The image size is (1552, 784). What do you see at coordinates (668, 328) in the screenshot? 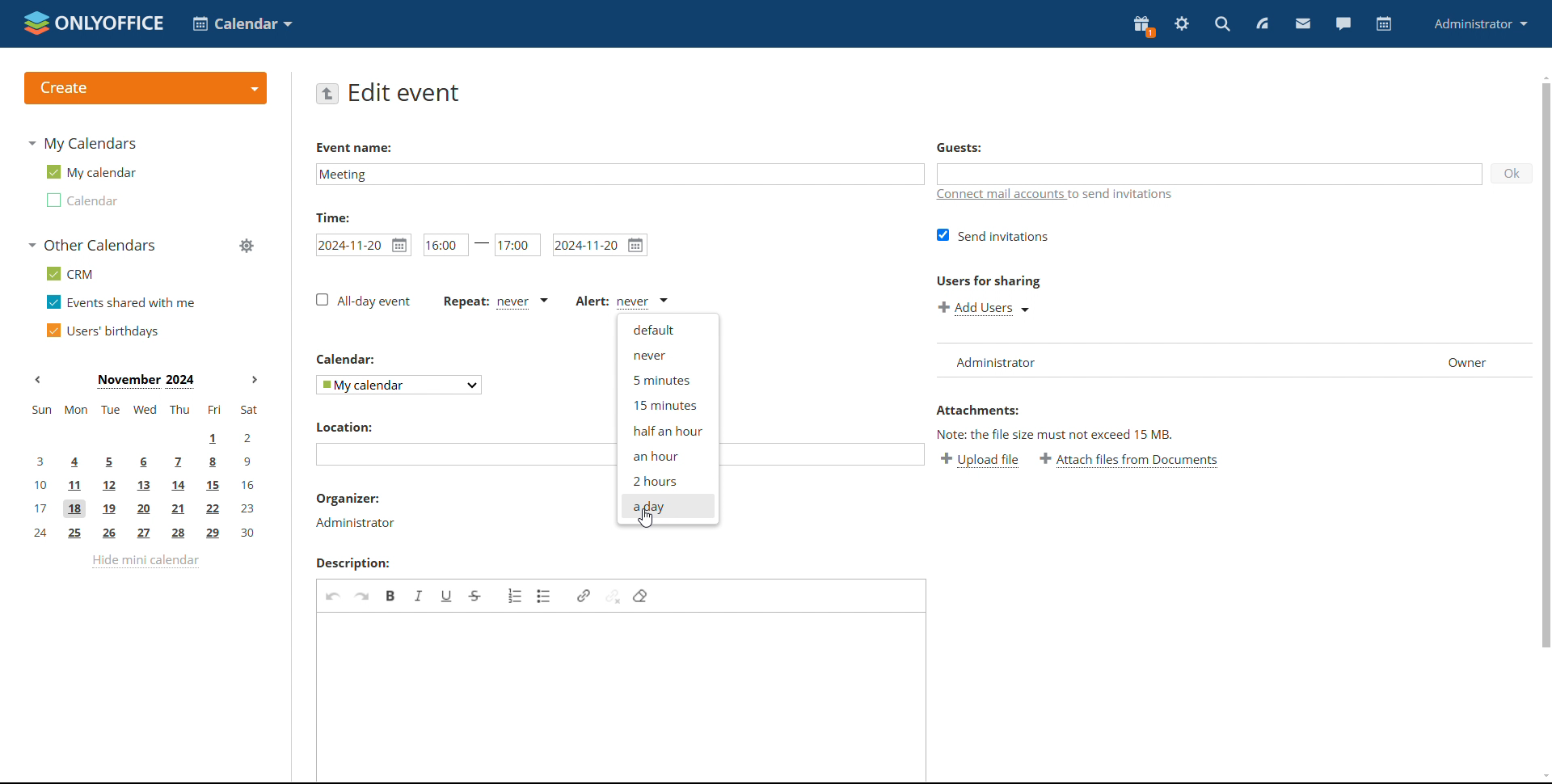
I see `default` at bounding box center [668, 328].